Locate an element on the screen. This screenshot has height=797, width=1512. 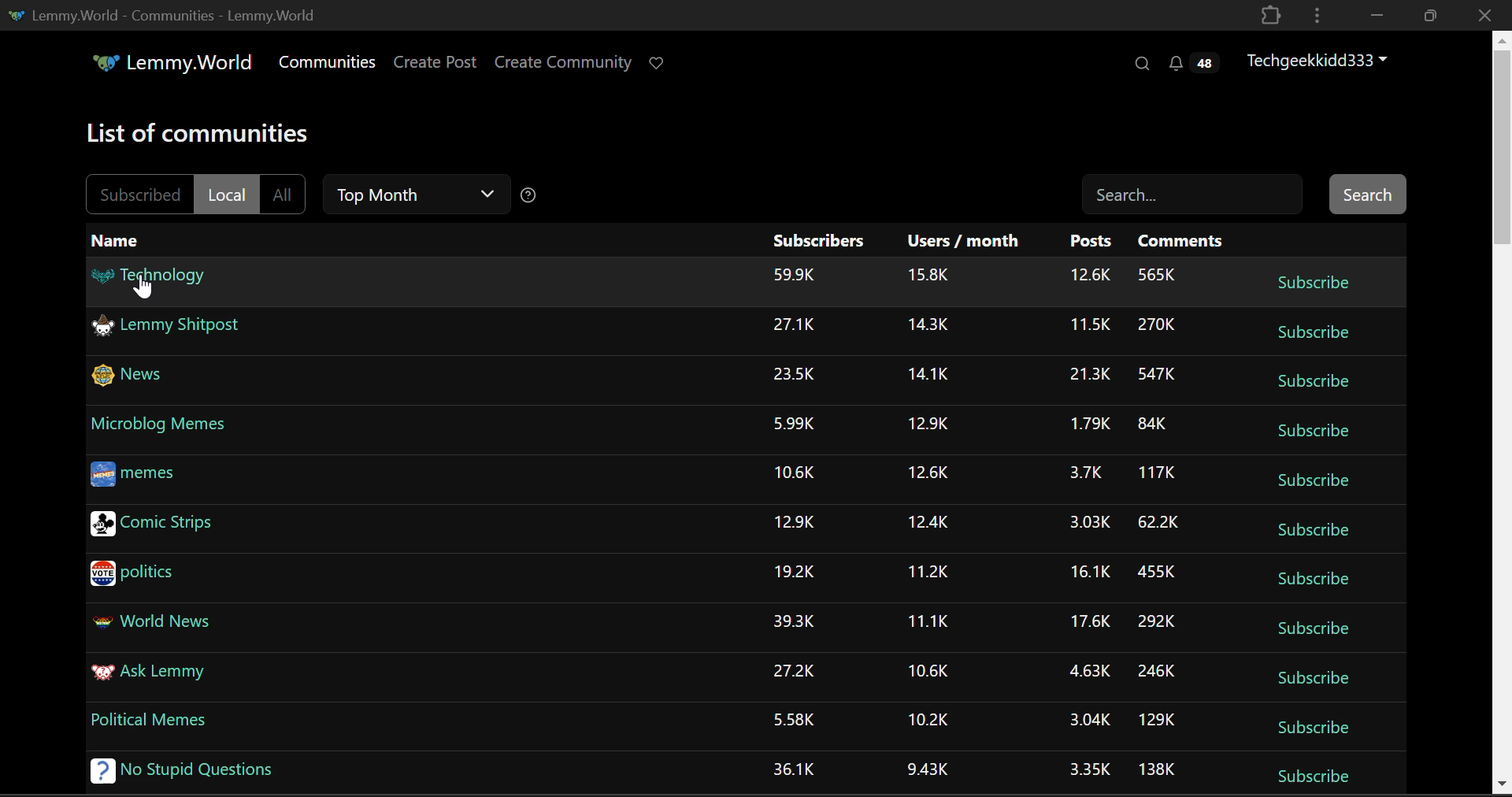
Subscribe is located at coordinates (1319, 328).